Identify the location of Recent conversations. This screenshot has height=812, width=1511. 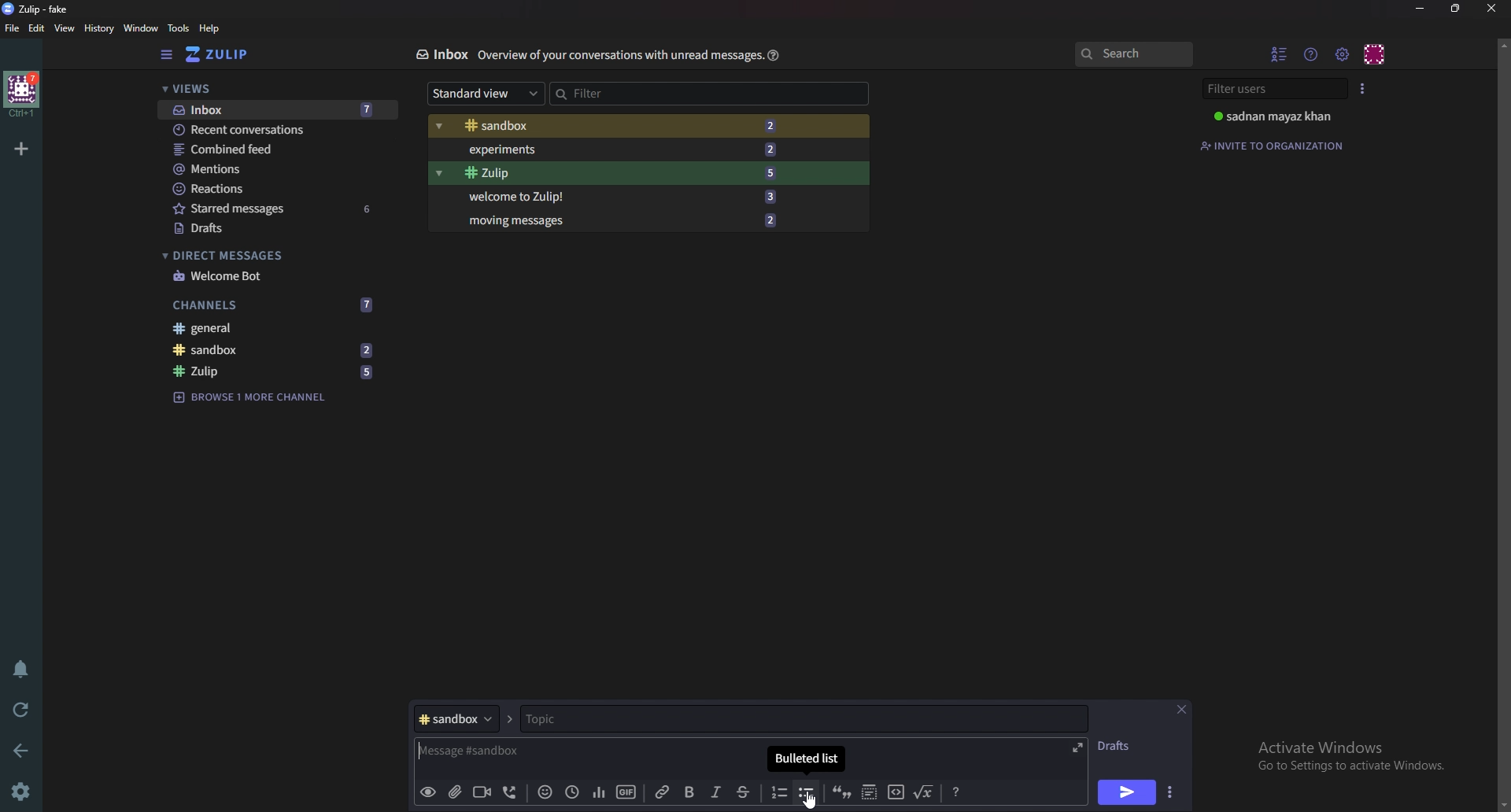
(279, 129).